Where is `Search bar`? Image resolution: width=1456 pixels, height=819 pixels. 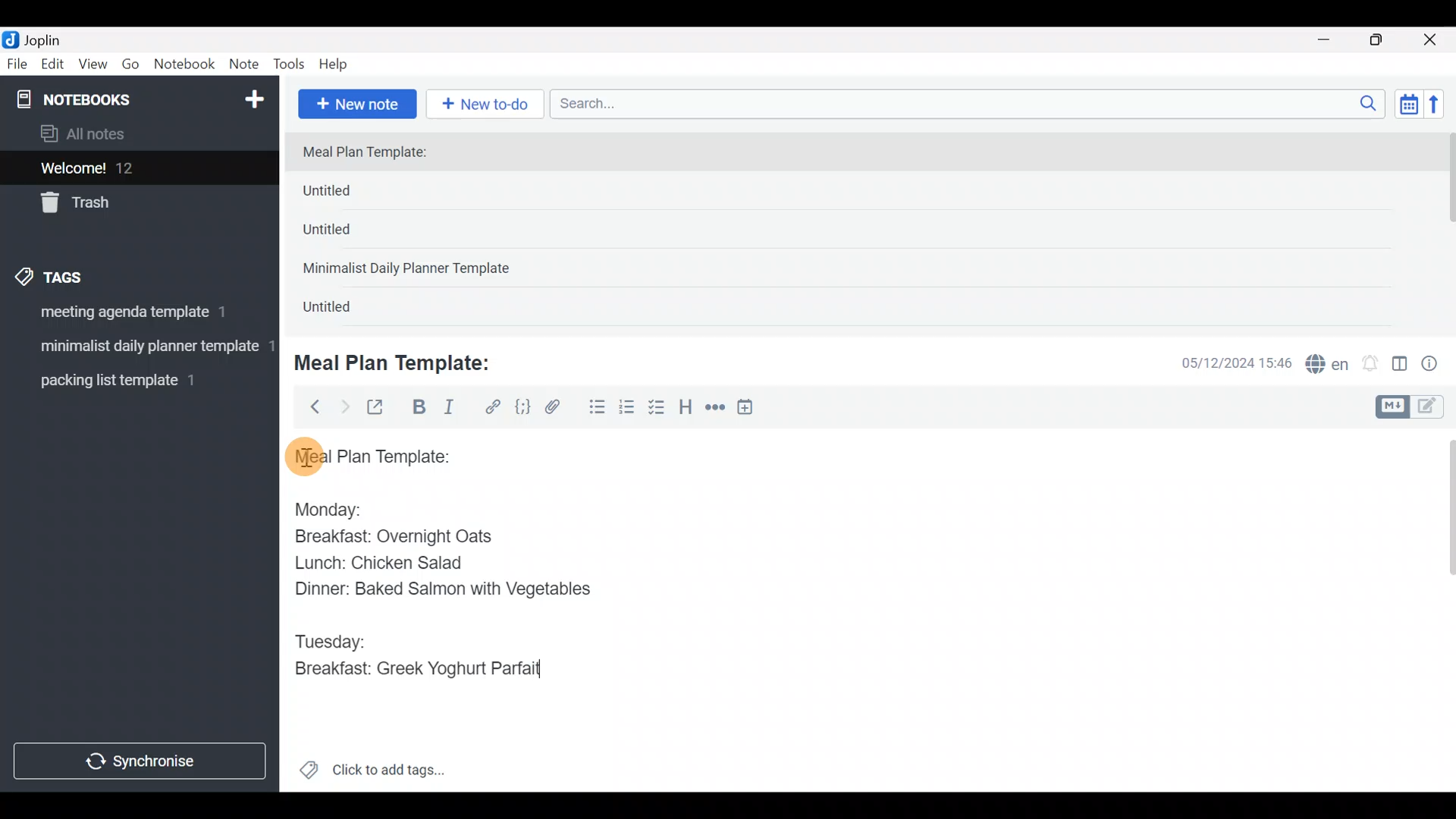 Search bar is located at coordinates (971, 102).